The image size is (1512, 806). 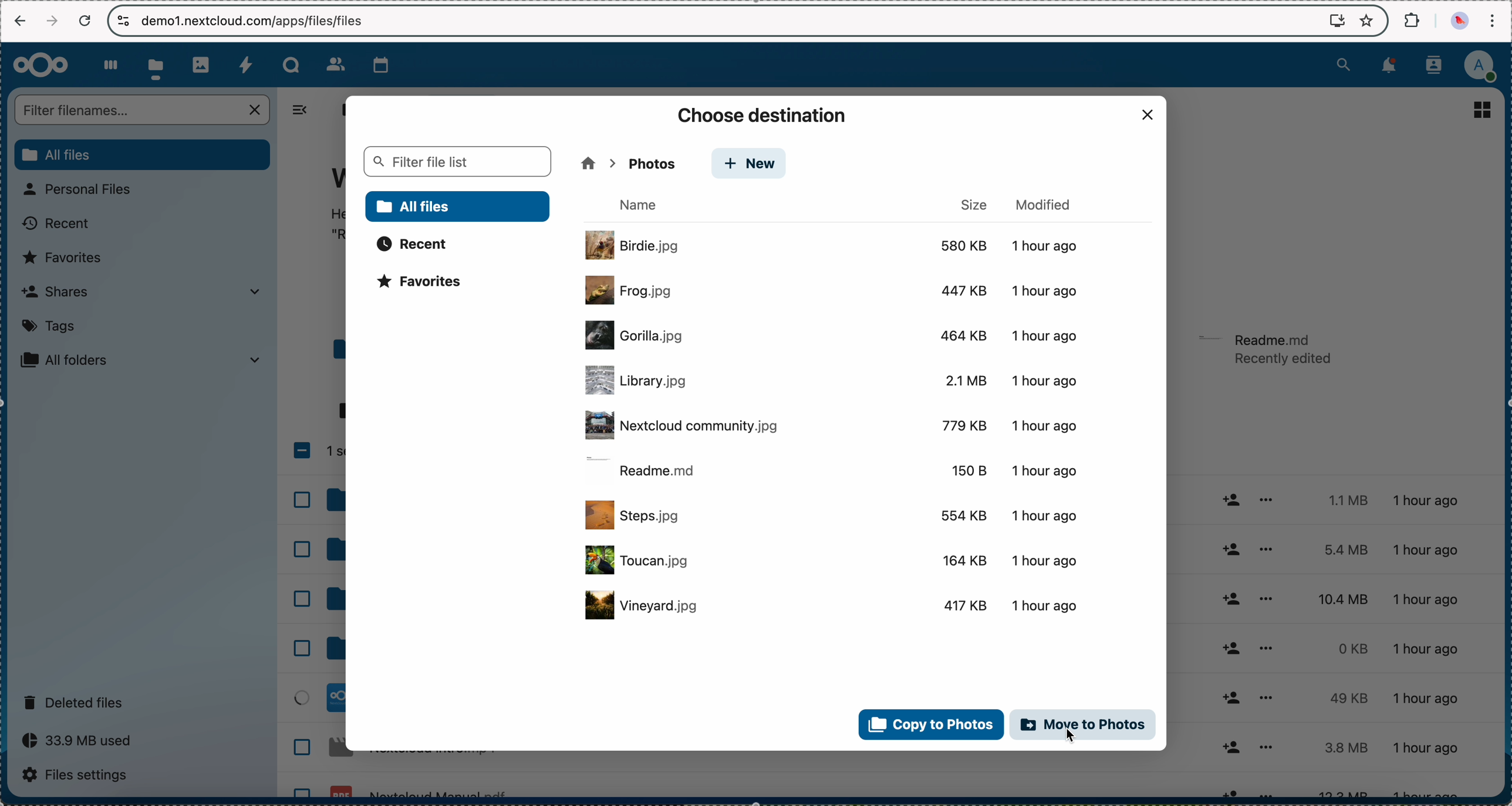 I want to click on tags, so click(x=48, y=327).